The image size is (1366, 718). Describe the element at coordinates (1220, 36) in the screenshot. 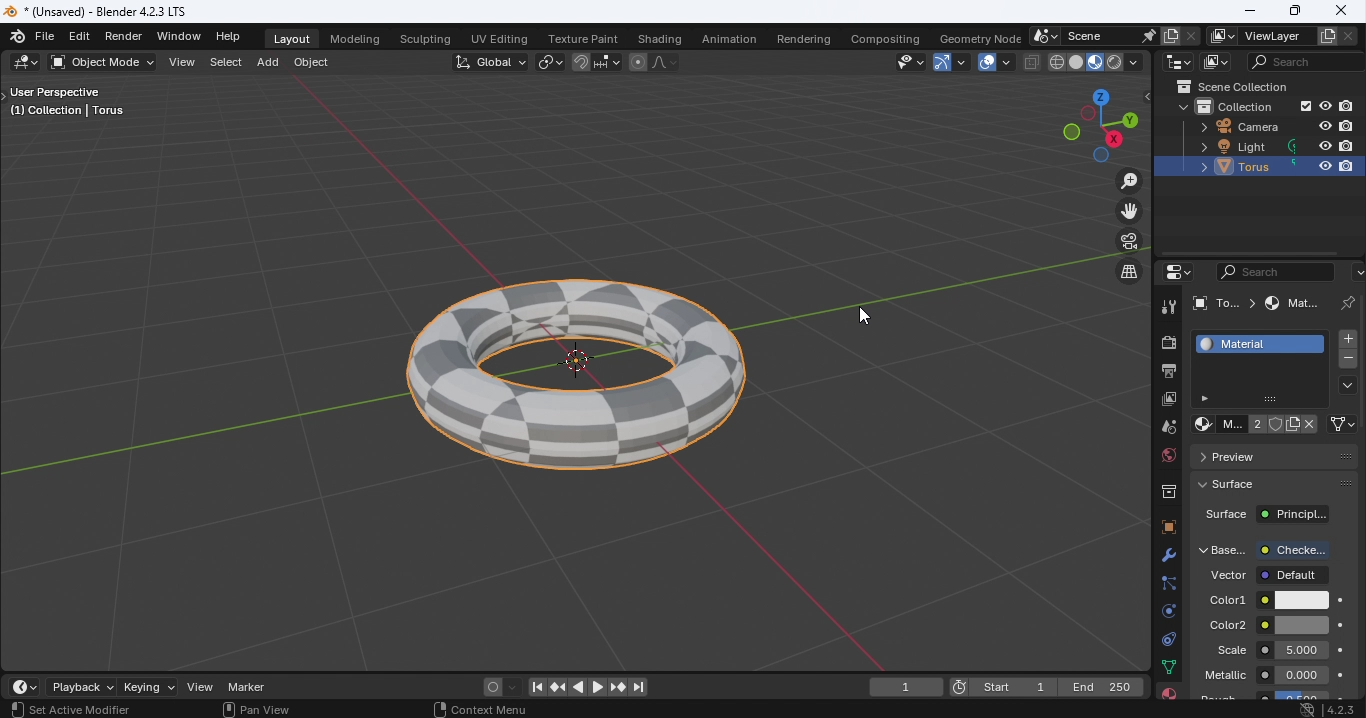

I see `The active workspace view layer showing in the window` at that location.